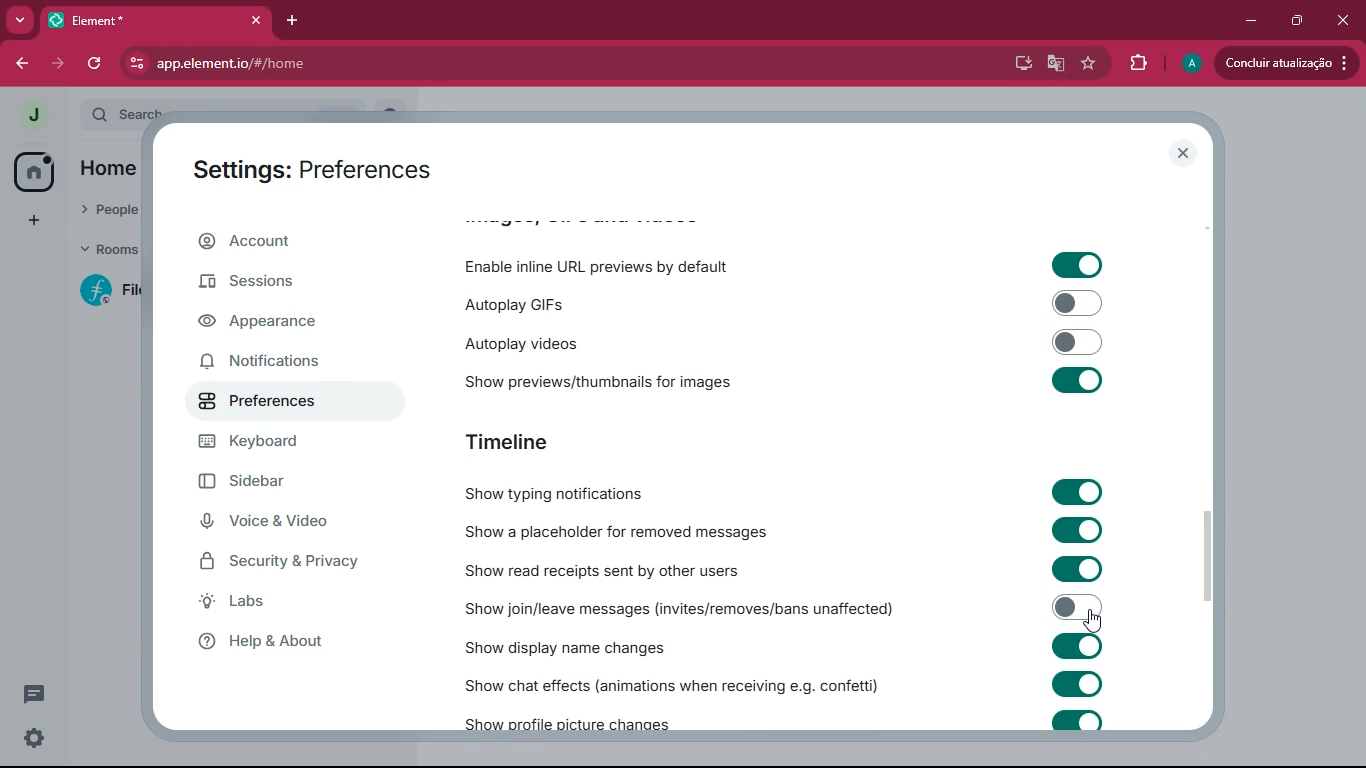  What do you see at coordinates (29, 114) in the screenshot?
I see `profile picture` at bounding box center [29, 114].